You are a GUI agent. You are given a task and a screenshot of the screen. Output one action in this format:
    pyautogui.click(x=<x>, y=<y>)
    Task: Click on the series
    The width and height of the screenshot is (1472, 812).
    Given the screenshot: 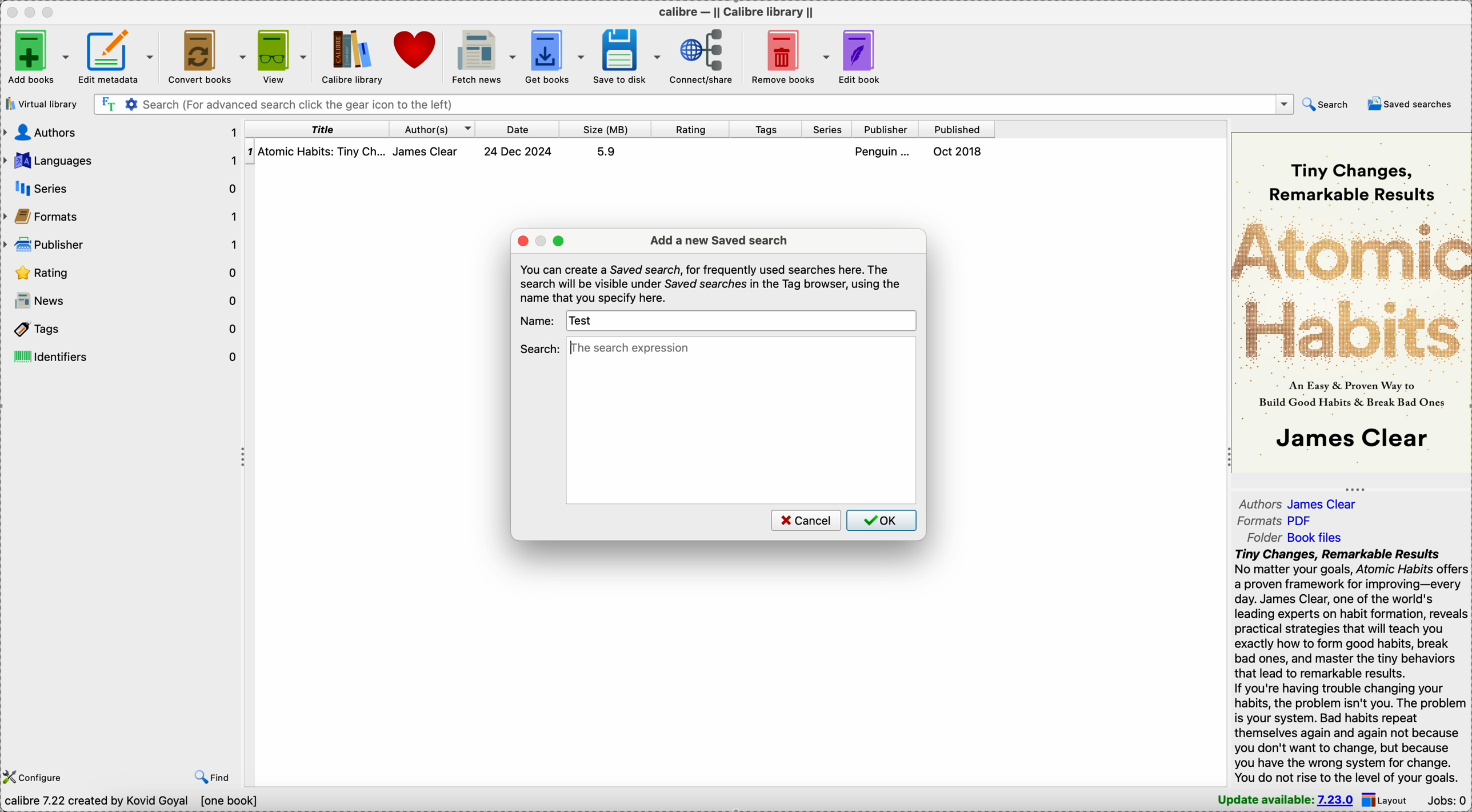 What is the action you would take?
    pyautogui.click(x=127, y=188)
    